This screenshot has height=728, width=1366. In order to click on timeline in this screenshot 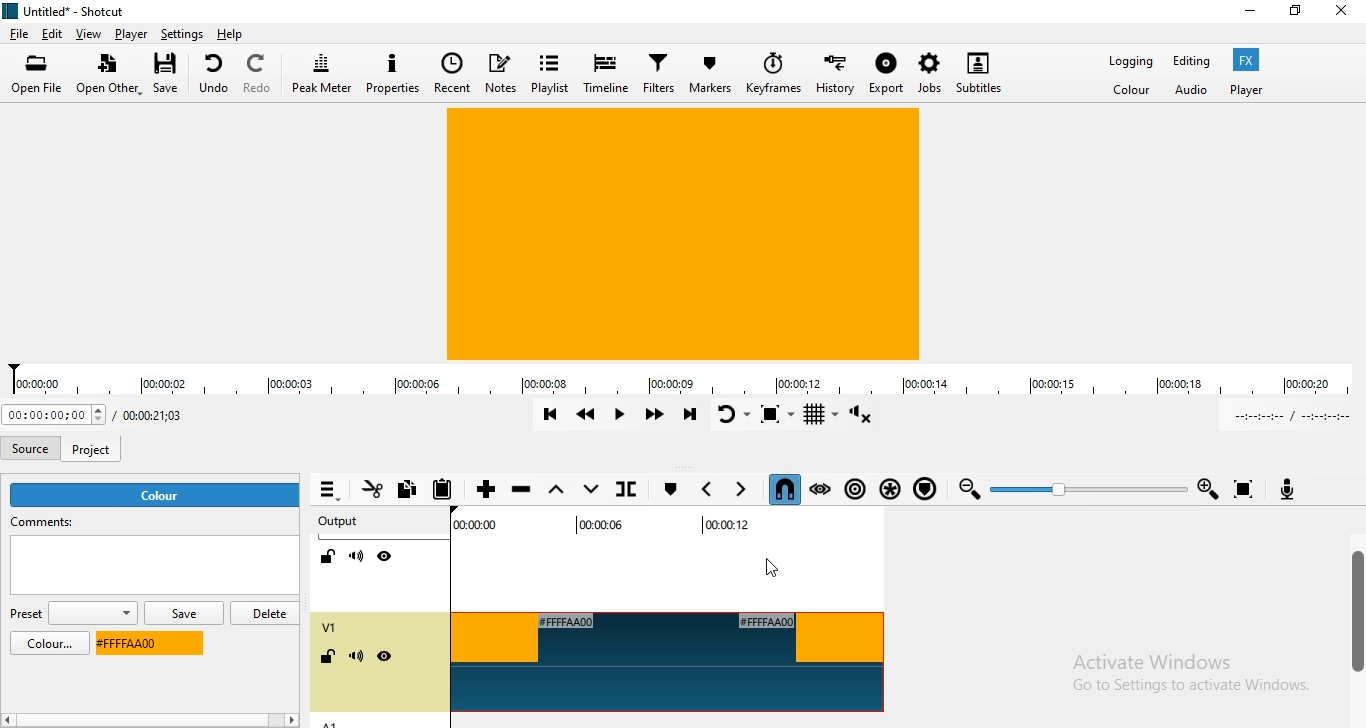, I will do `click(683, 380)`.